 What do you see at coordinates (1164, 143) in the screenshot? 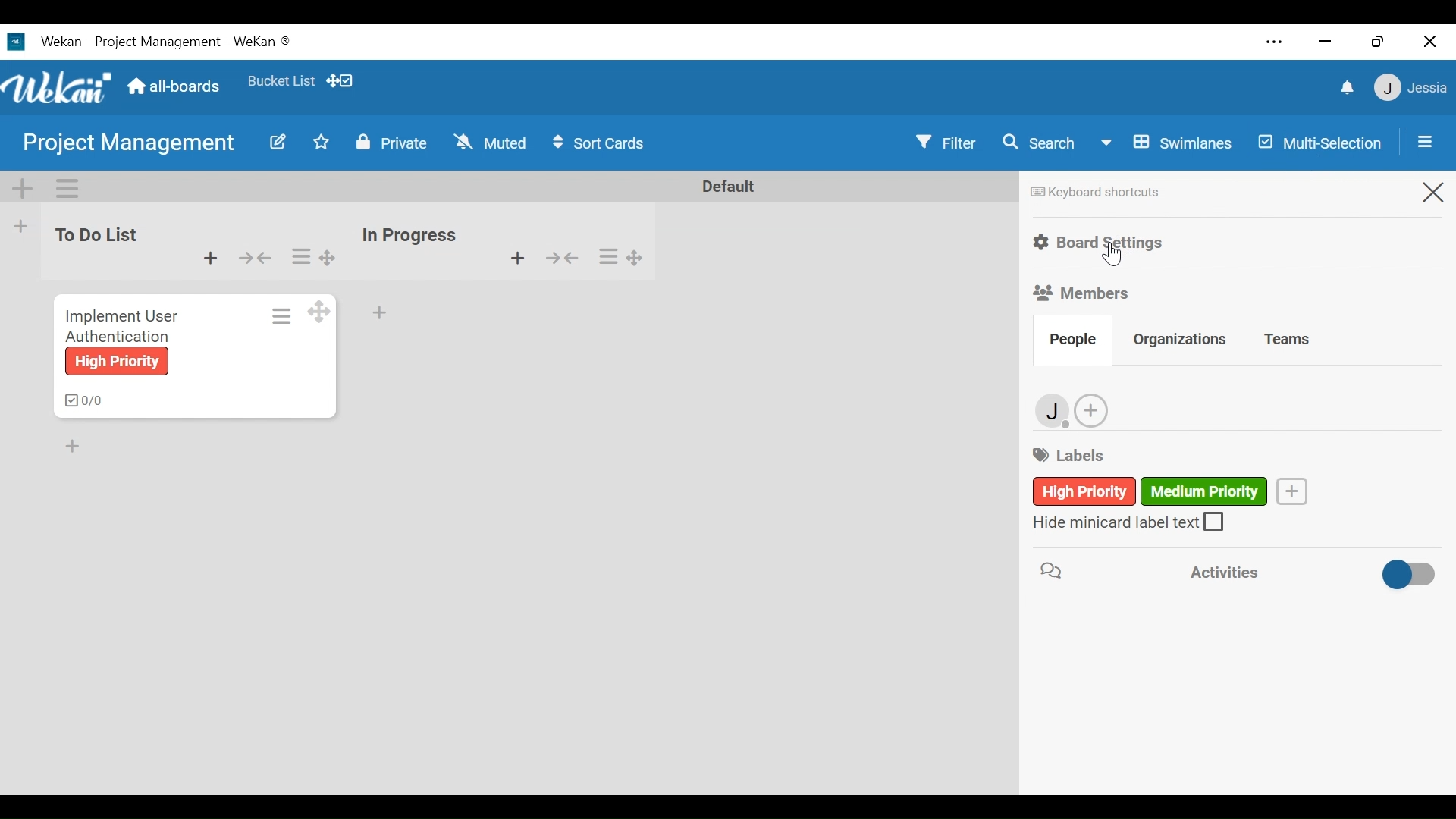
I see `Board View` at bounding box center [1164, 143].